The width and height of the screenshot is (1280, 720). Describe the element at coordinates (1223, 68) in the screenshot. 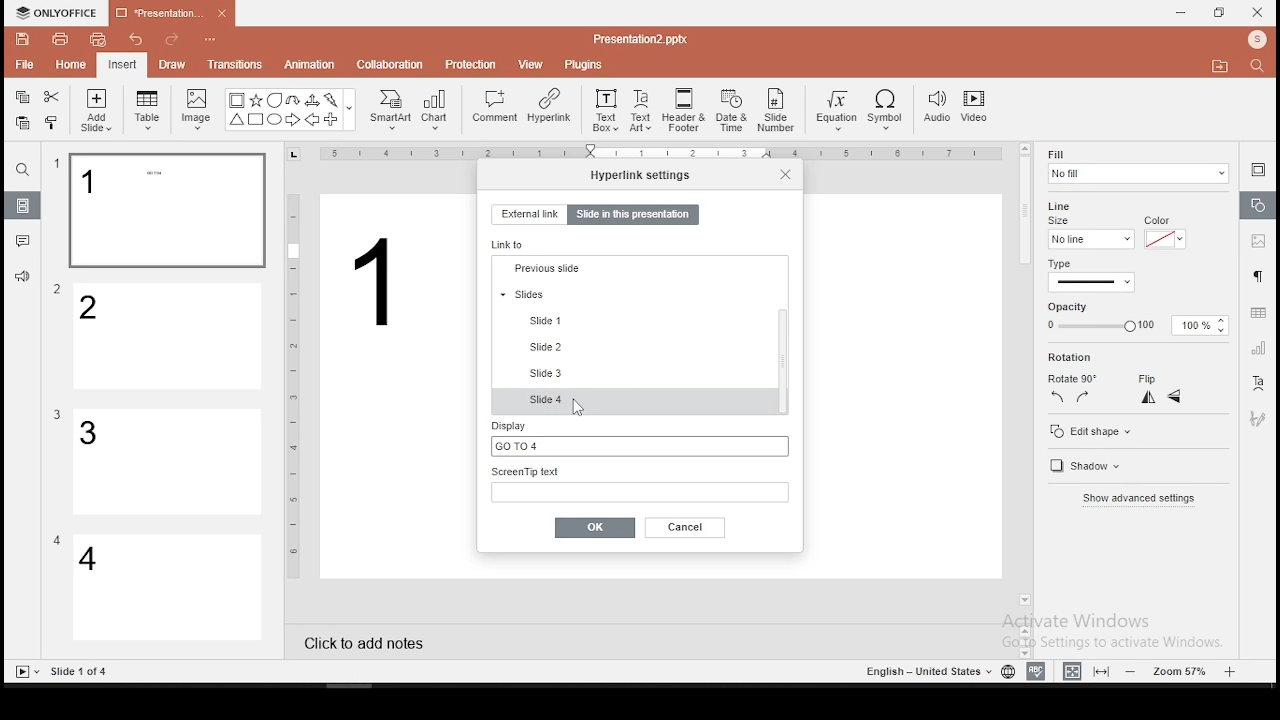

I see `Move to folder` at that location.